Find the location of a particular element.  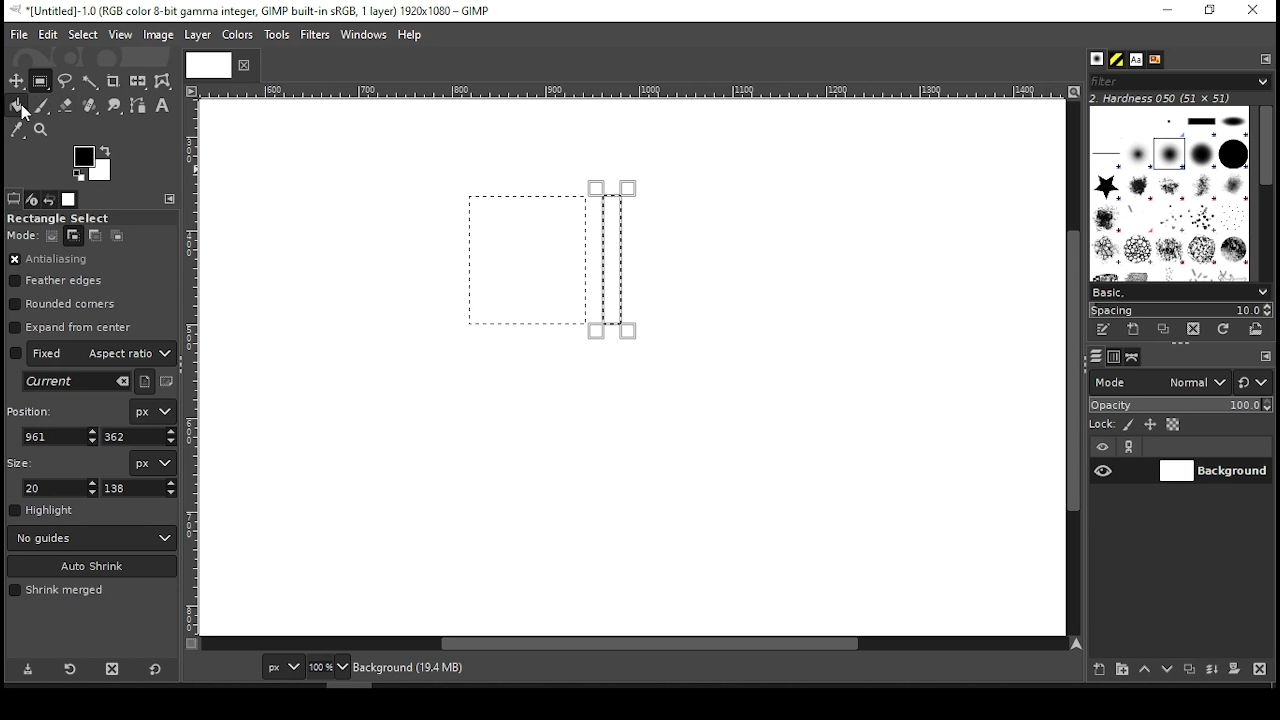

shrink merged is located at coordinates (56, 590).